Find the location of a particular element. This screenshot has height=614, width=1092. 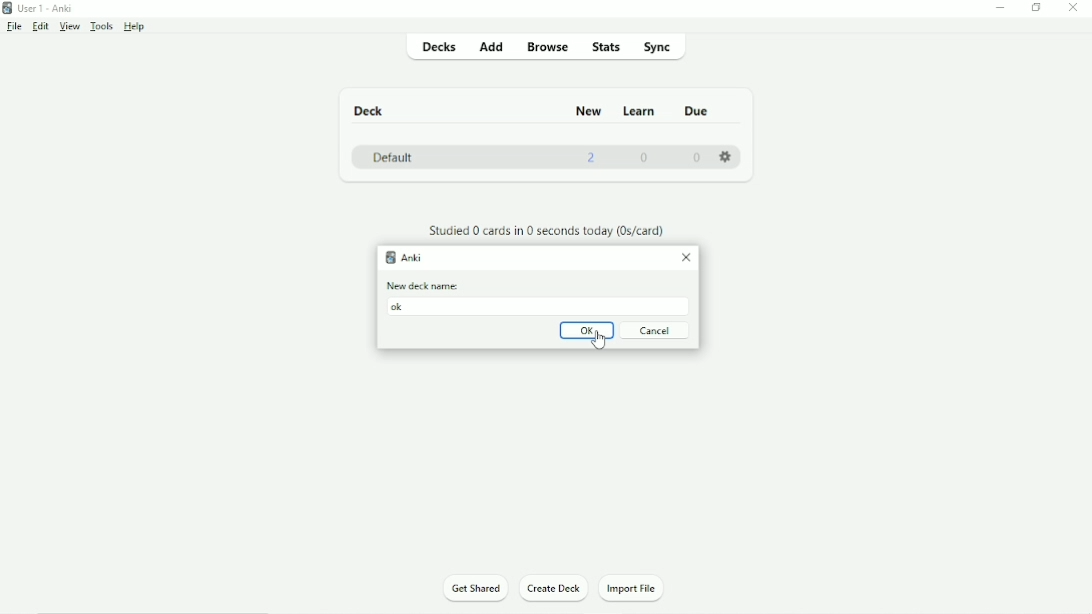

Settings is located at coordinates (726, 154).